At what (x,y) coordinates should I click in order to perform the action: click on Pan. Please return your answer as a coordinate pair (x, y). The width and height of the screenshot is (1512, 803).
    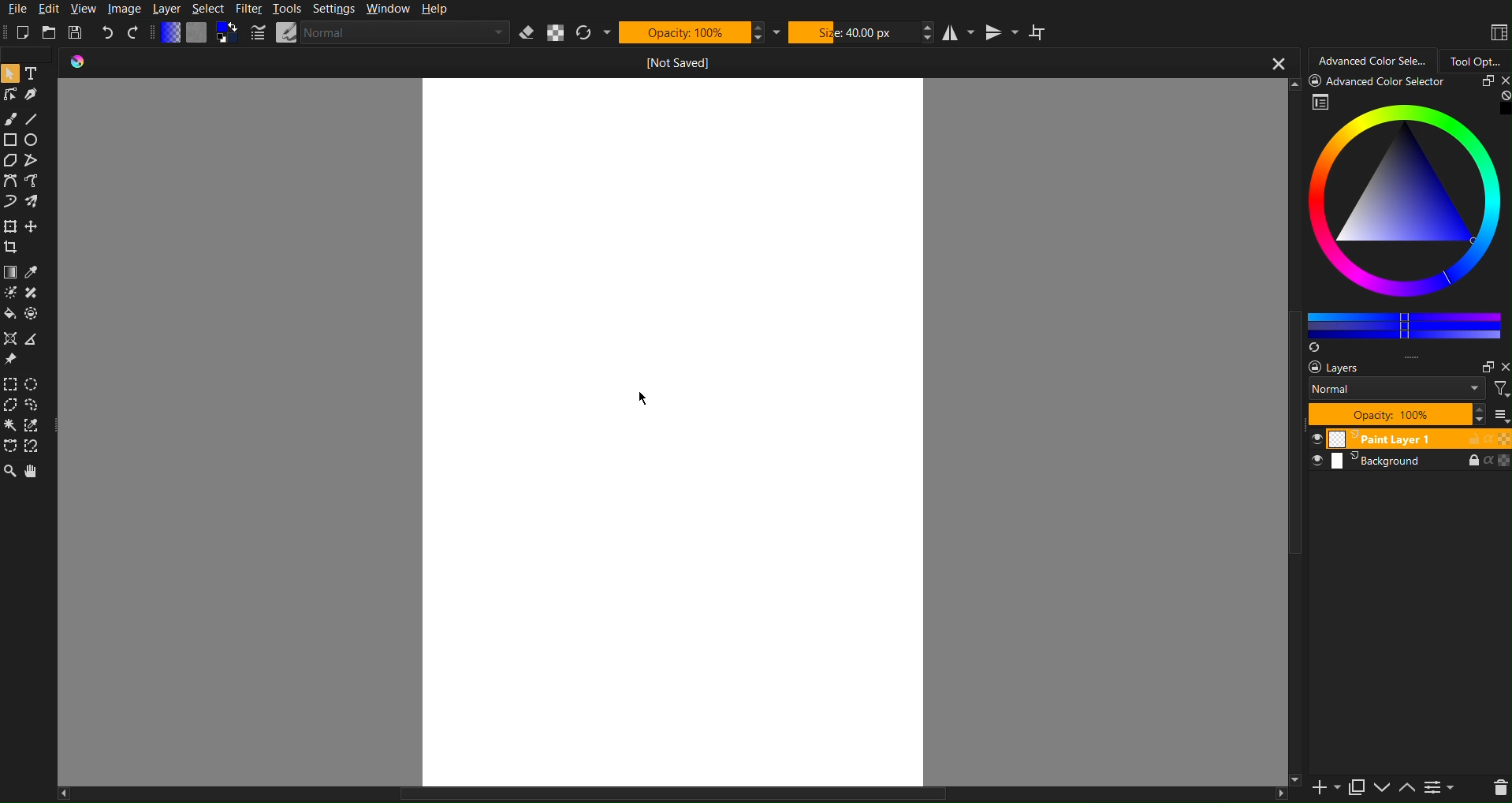
    Looking at the image, I should click on (35, 472).